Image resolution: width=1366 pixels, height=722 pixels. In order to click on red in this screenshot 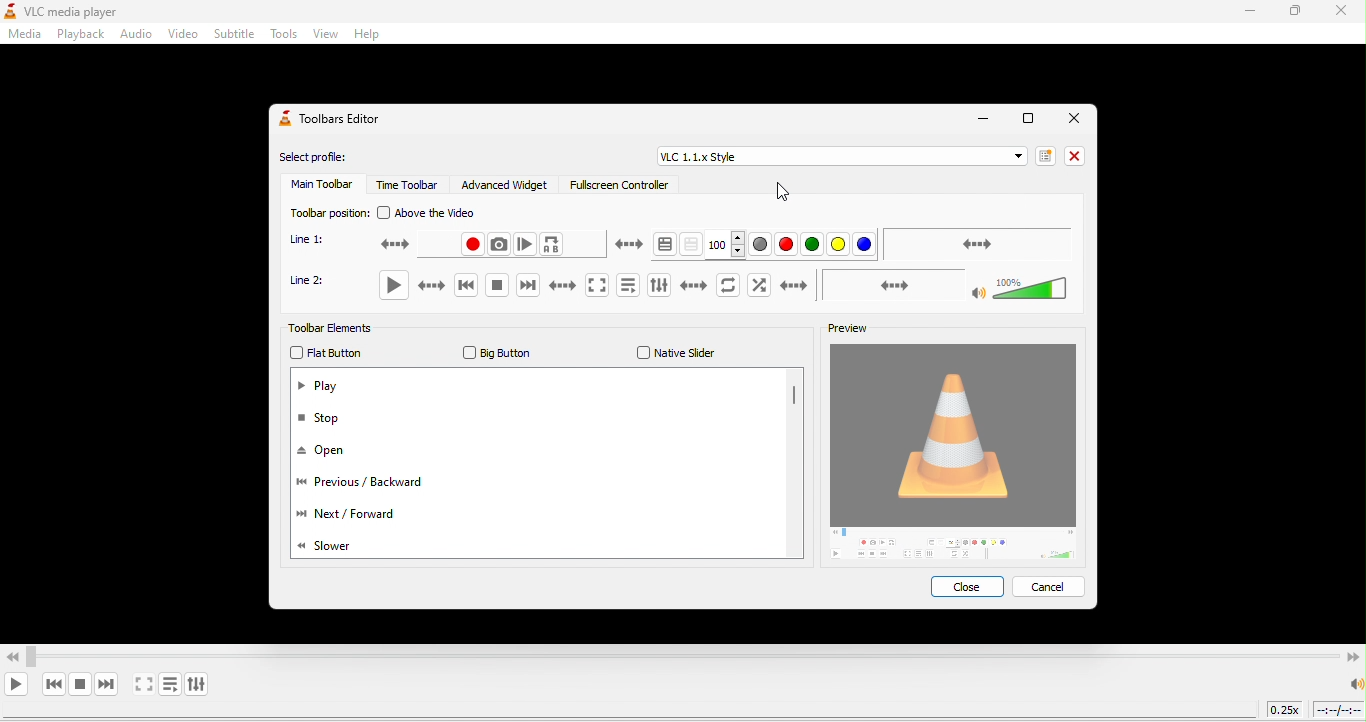, I will do `click(788, 245)`.